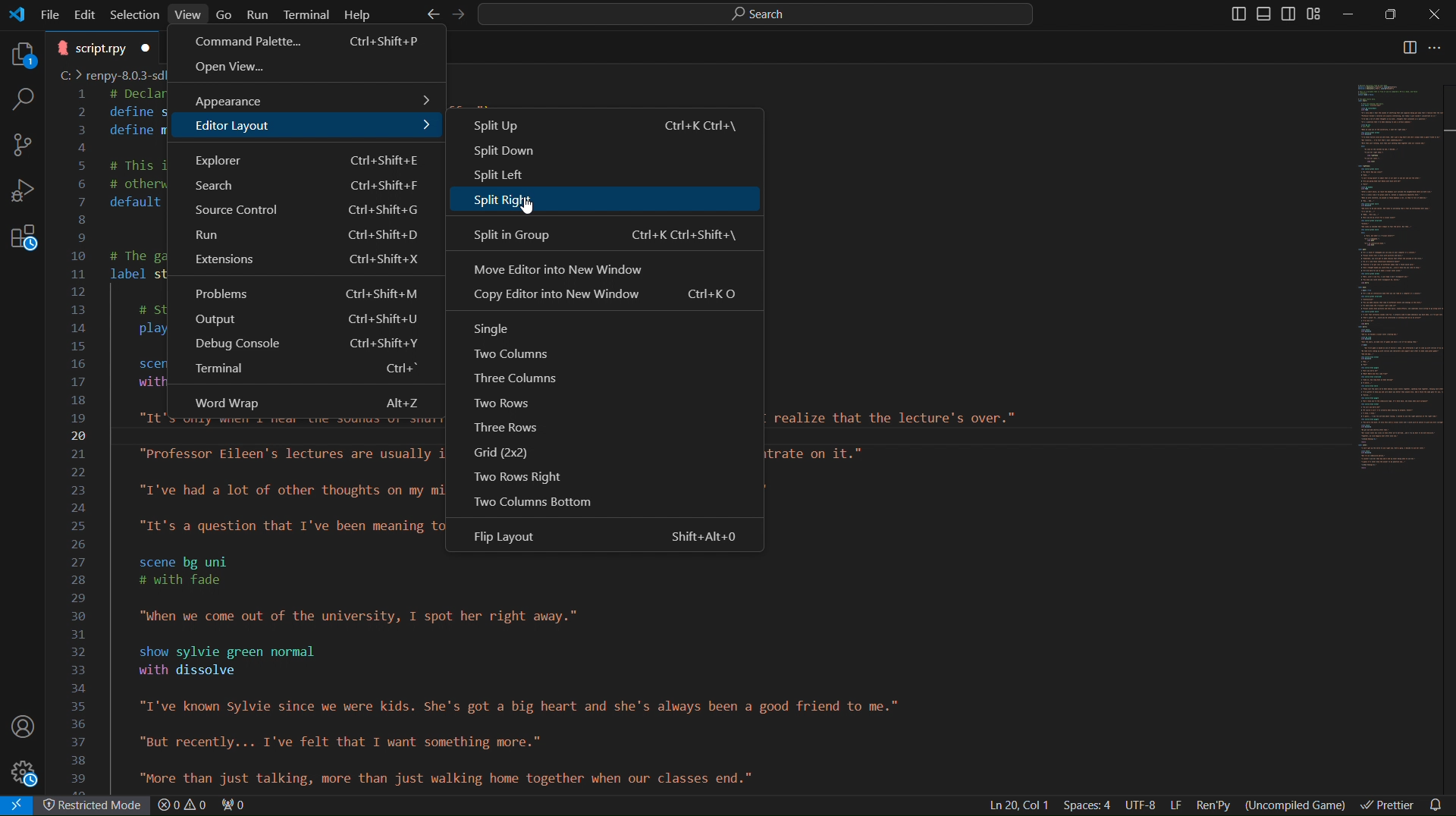 Image resolution: width=1456 pixels, height=816 pixels. Describe the element at coordinates (1392, 15) in the screenshot. I see `Maximize/Restore` at that location.